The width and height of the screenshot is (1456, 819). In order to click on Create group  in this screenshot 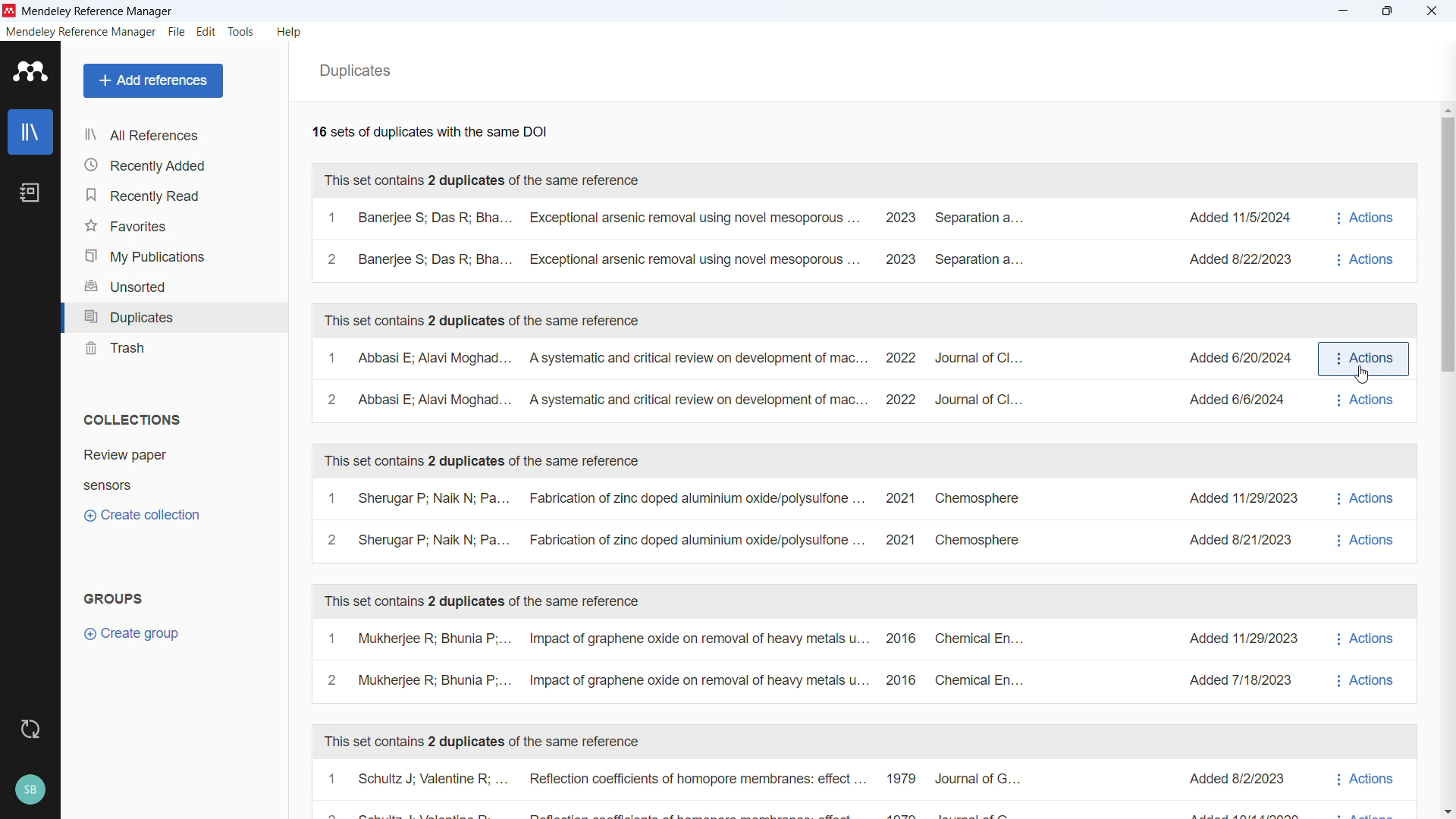, I will do `click(134, 635)`.